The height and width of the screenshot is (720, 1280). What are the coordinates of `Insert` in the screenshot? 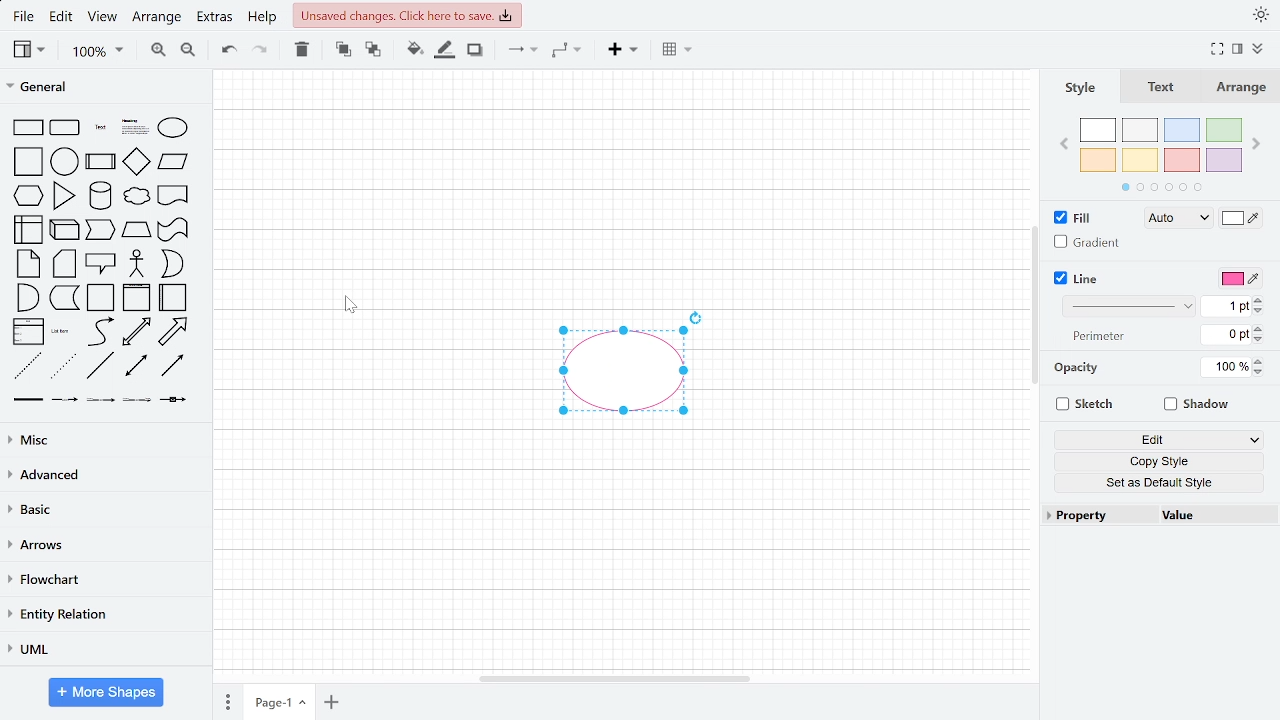 It's located at (625, 52).